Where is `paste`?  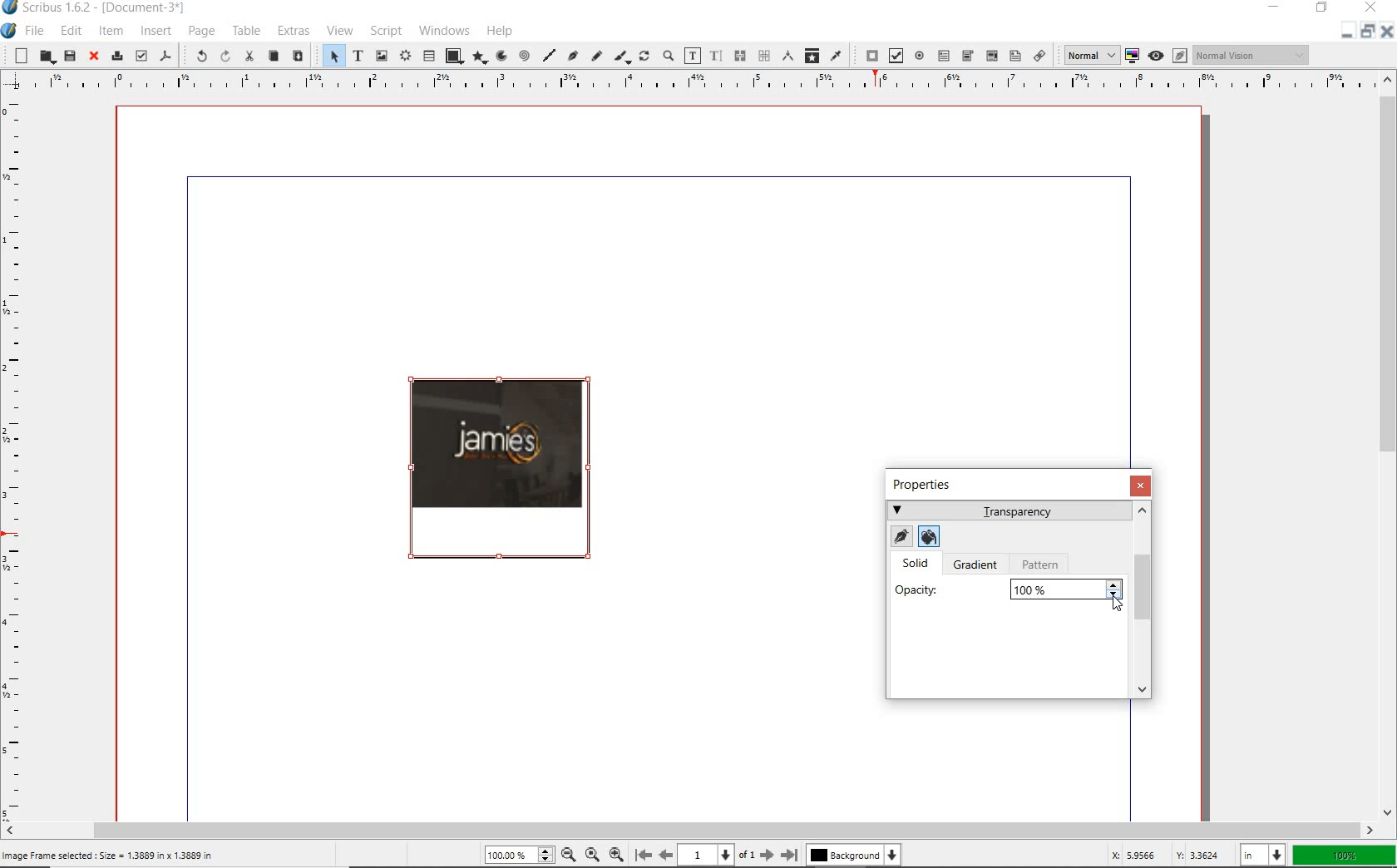
paste is located at coordinates (299, 57).